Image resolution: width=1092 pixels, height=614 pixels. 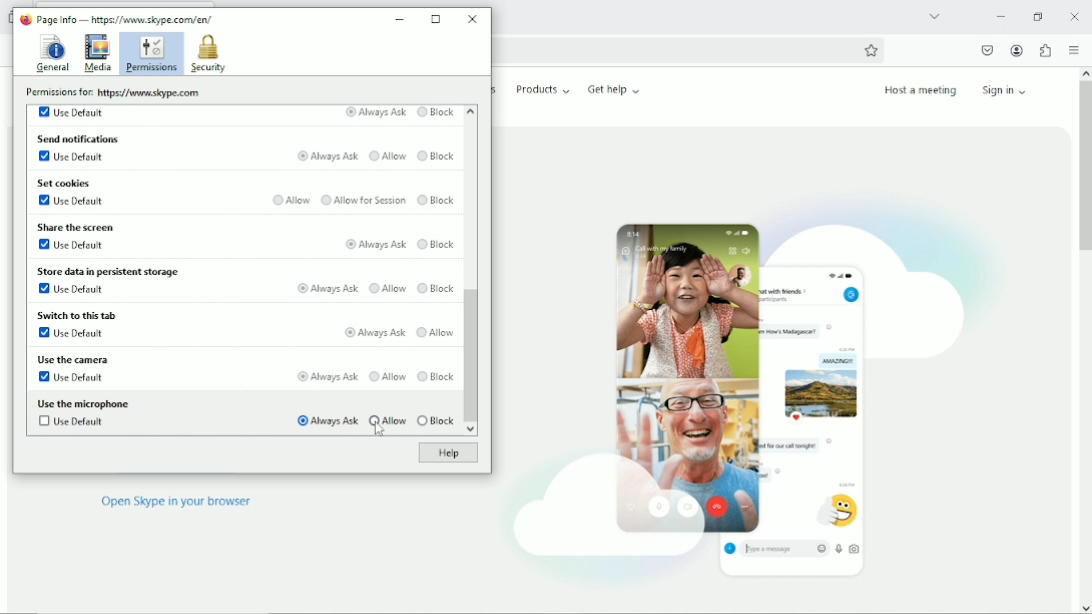 I want to click on Use default, so click(x=70, y=244).